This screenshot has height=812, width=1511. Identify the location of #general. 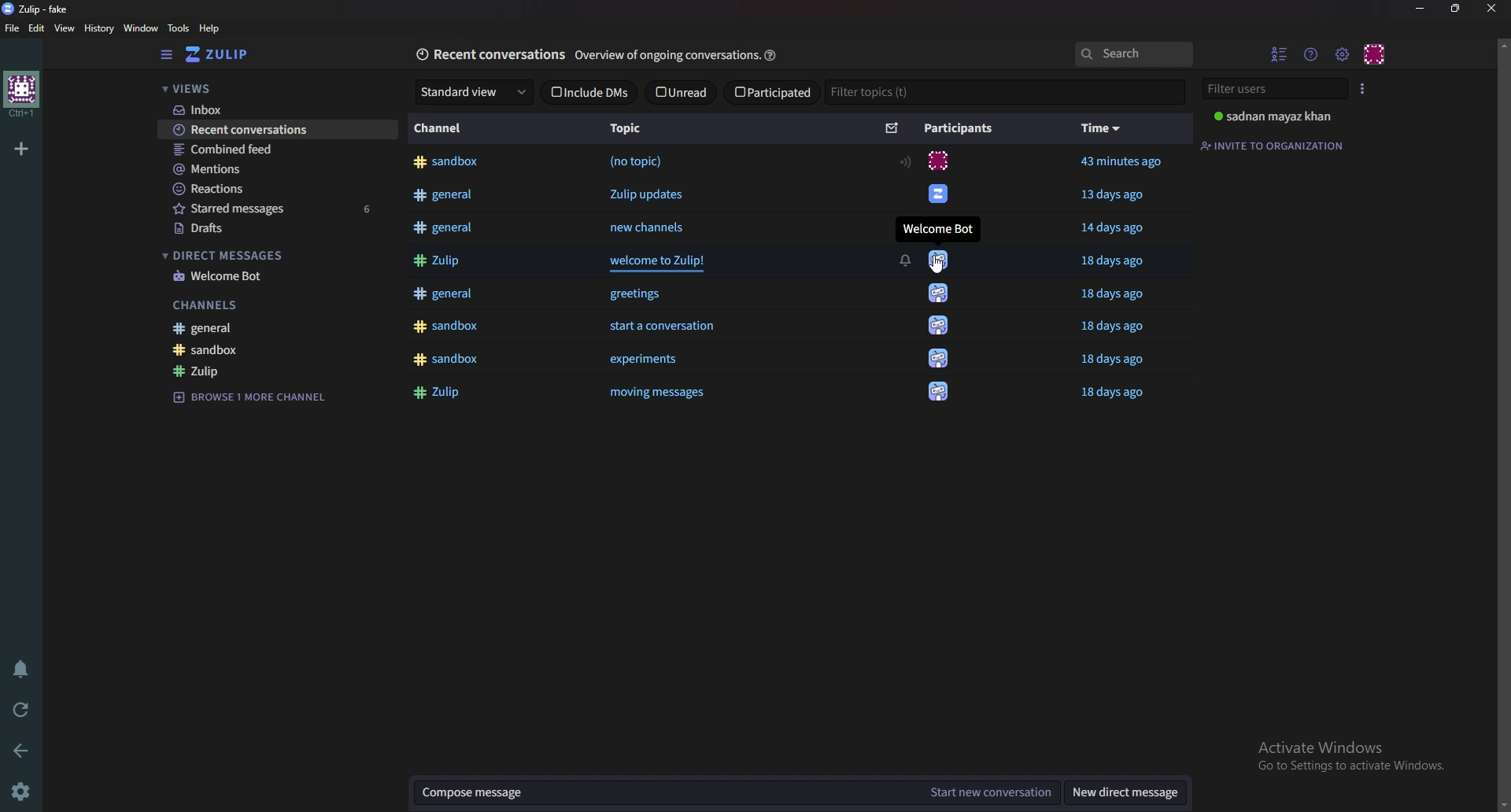
(443, 193).